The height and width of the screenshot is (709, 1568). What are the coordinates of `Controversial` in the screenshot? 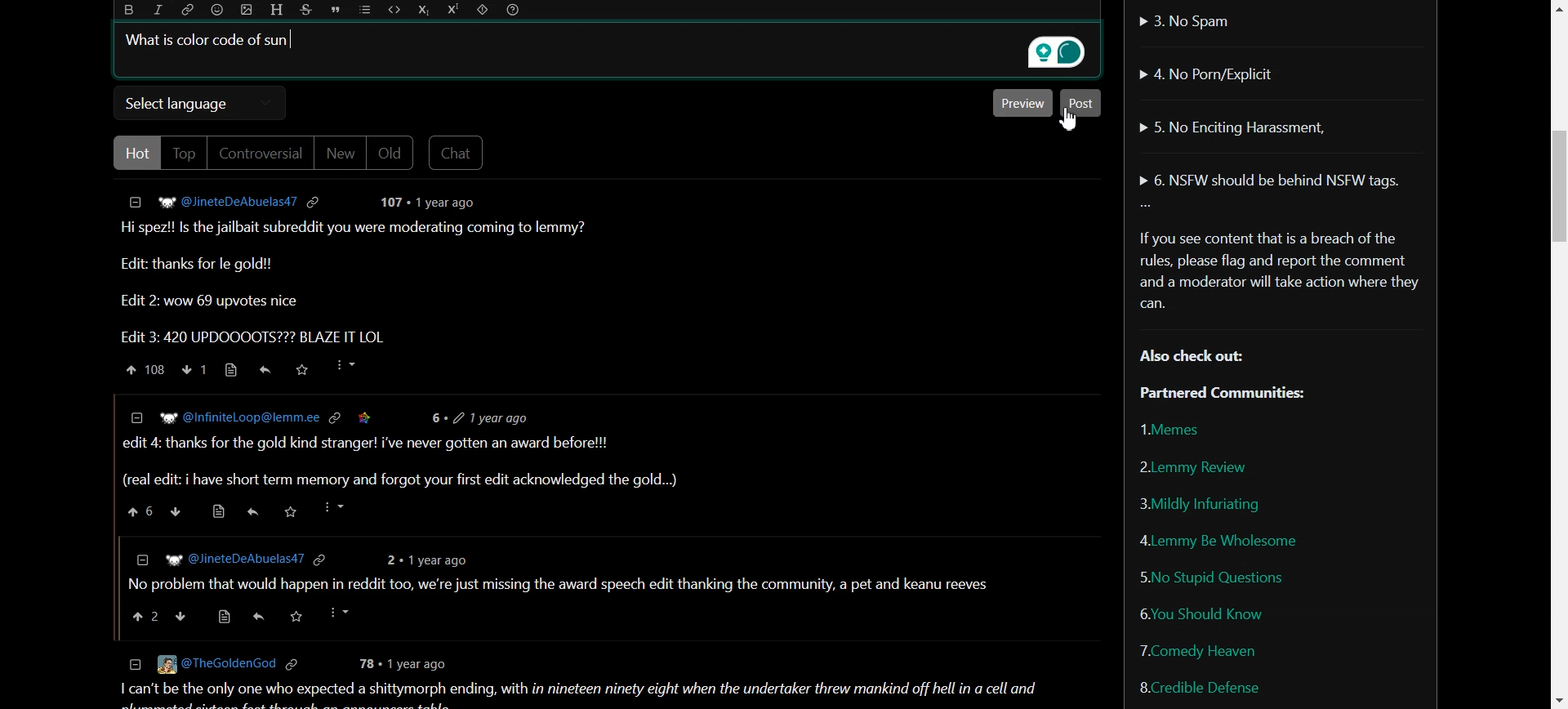 It's located at (262, 154).